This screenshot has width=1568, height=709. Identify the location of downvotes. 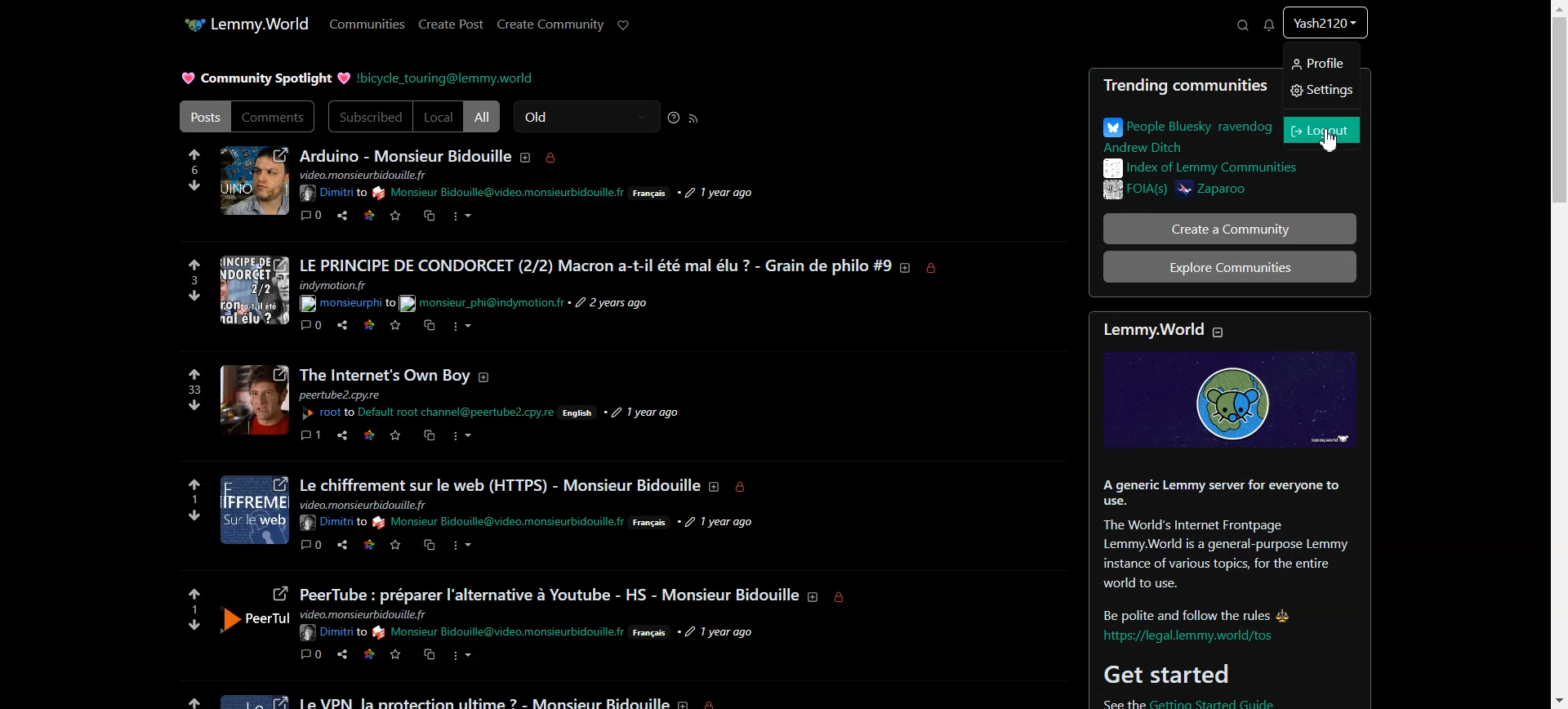
(188, 299).